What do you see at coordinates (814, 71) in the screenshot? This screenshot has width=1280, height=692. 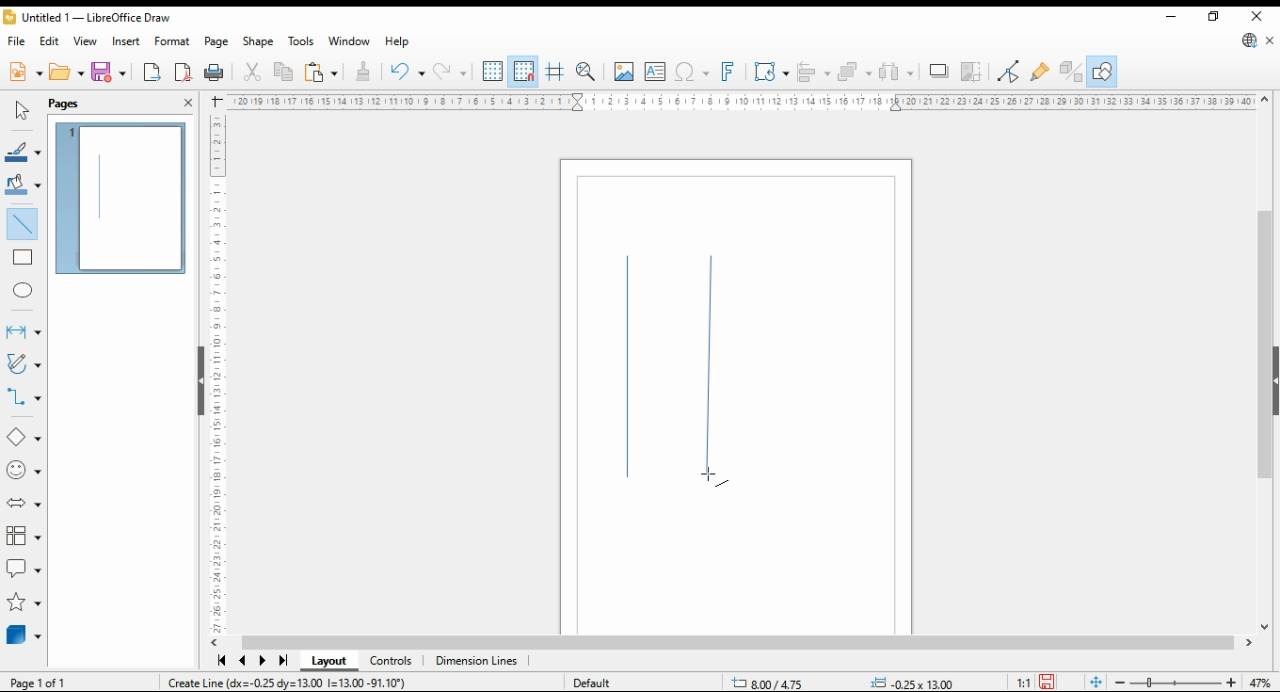 I see `align objects` at bounding box center [814, 71].